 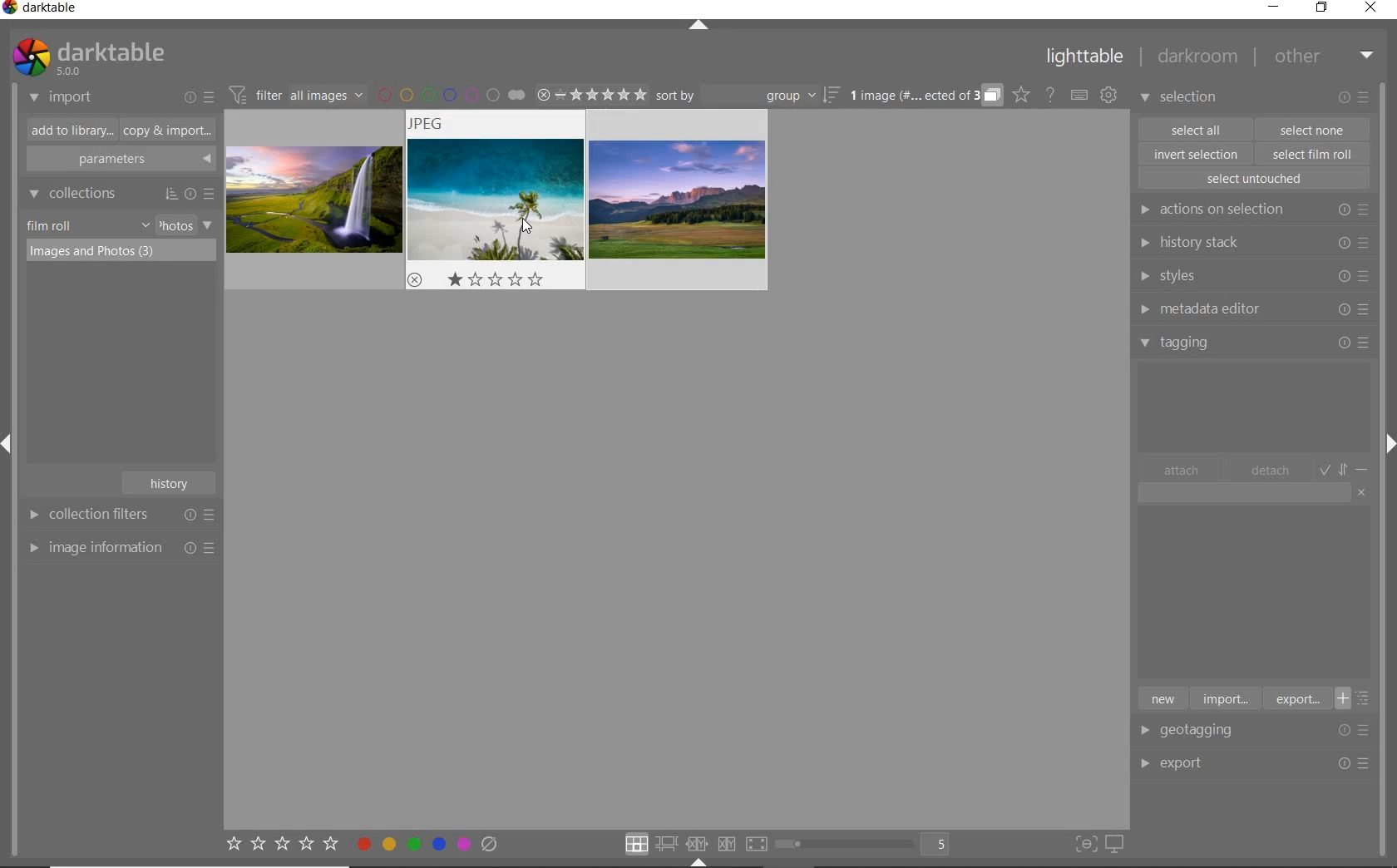 I want to click on attach, so click(x=1182, y=470).